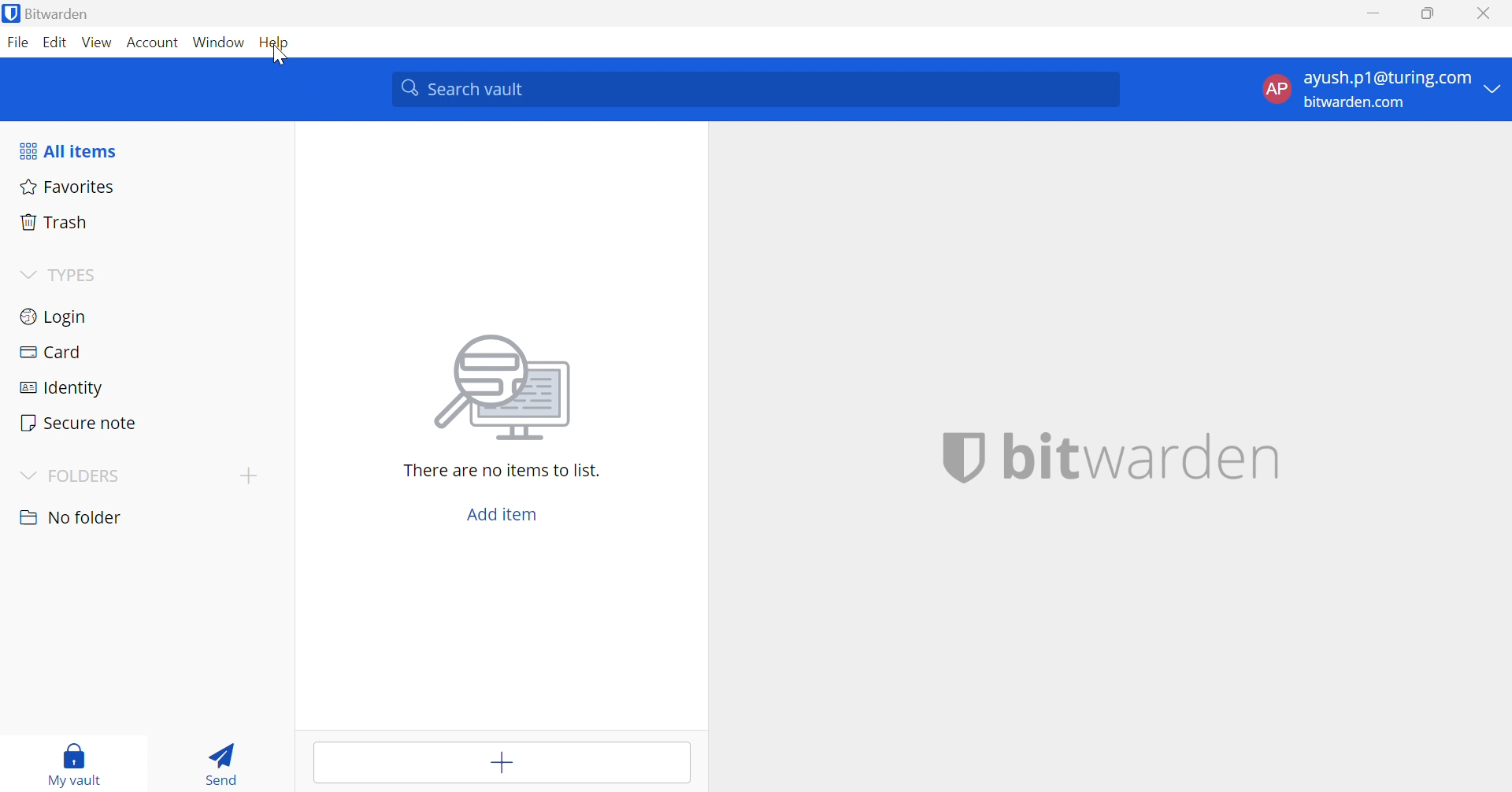  I want to click on Drop Down, so click(252, 476).